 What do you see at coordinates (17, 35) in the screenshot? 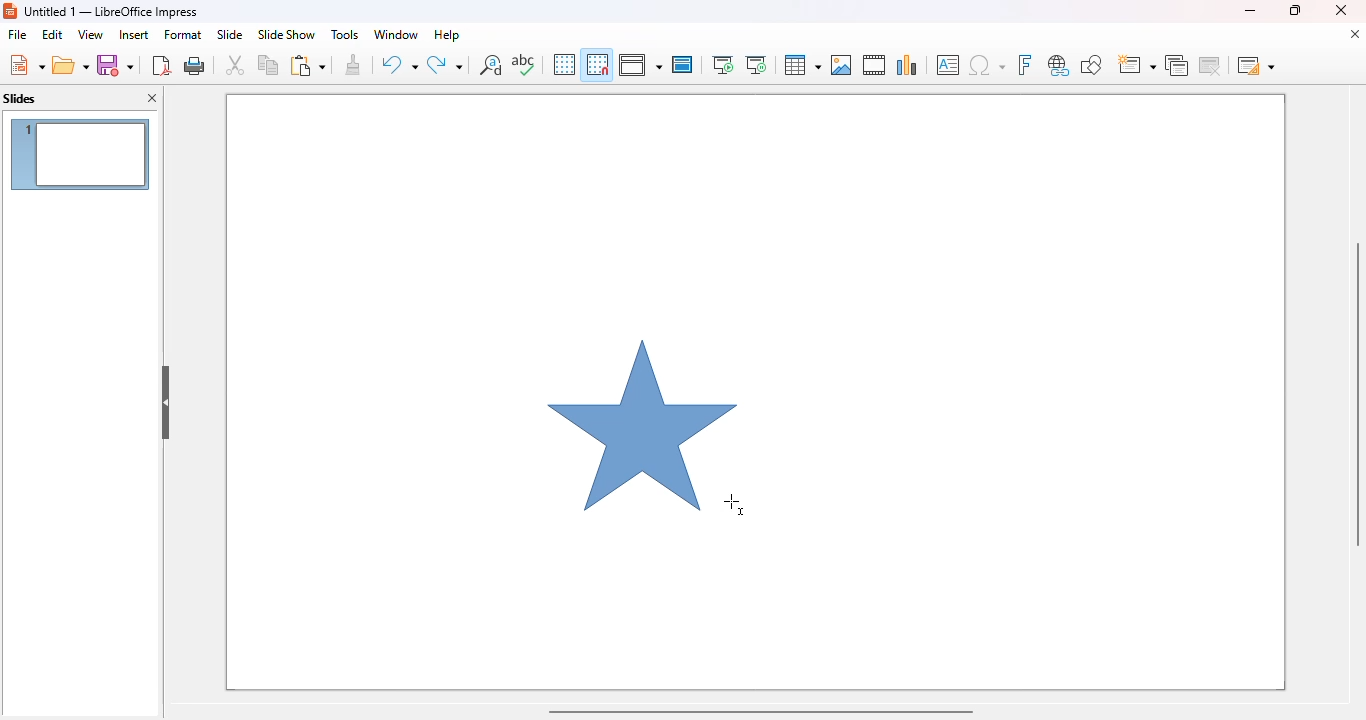
I see `file` at bounding box center [17, 35].